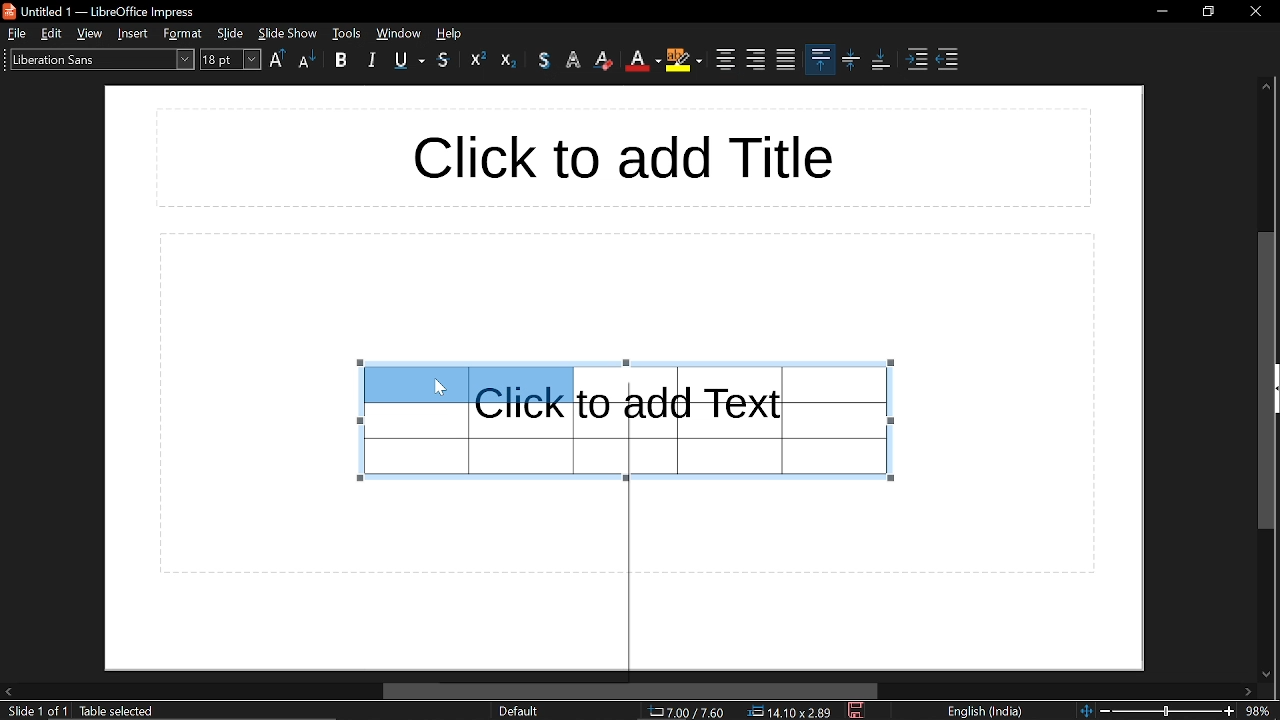 This screenshot has height=720, width=1280. What do you see at coordinates (1209, 11) in the screenshot?
I see `restore down` at bounding box center [1209, 11].